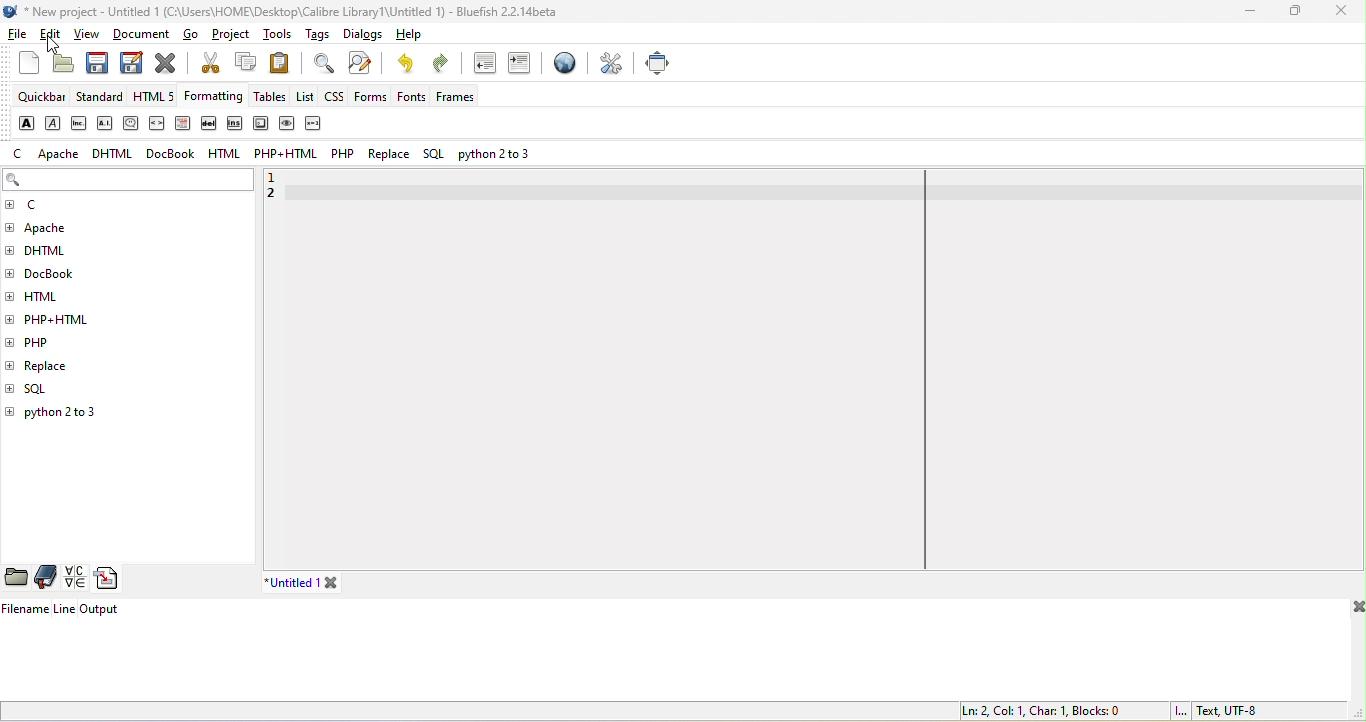 The width and height of the screenshot is (1366, 722). I want to click on code, so click(158, 125).